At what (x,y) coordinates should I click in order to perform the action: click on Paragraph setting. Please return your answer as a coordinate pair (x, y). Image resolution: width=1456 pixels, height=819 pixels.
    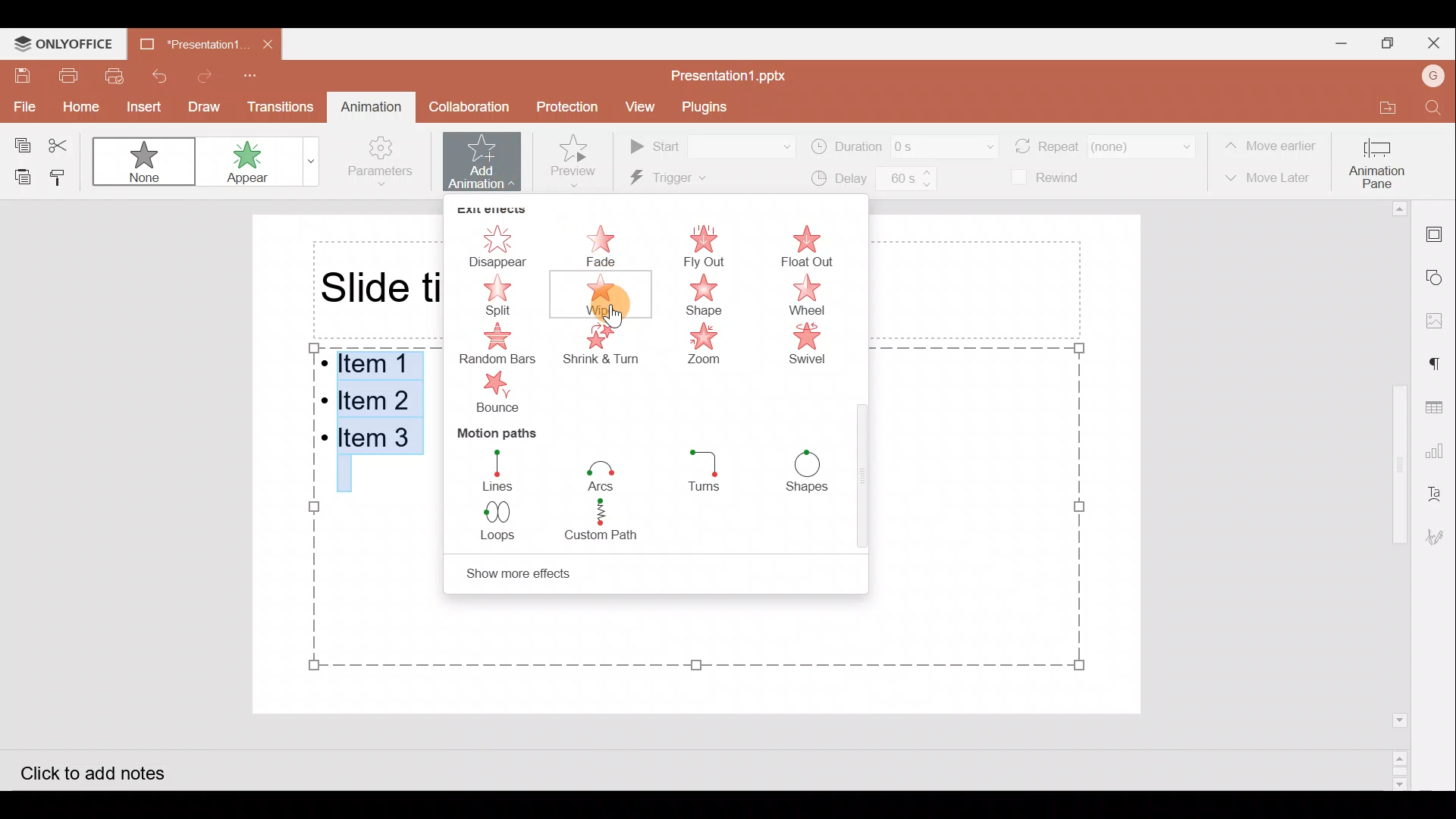
    Looking at the image, I should click on (1442, 366).